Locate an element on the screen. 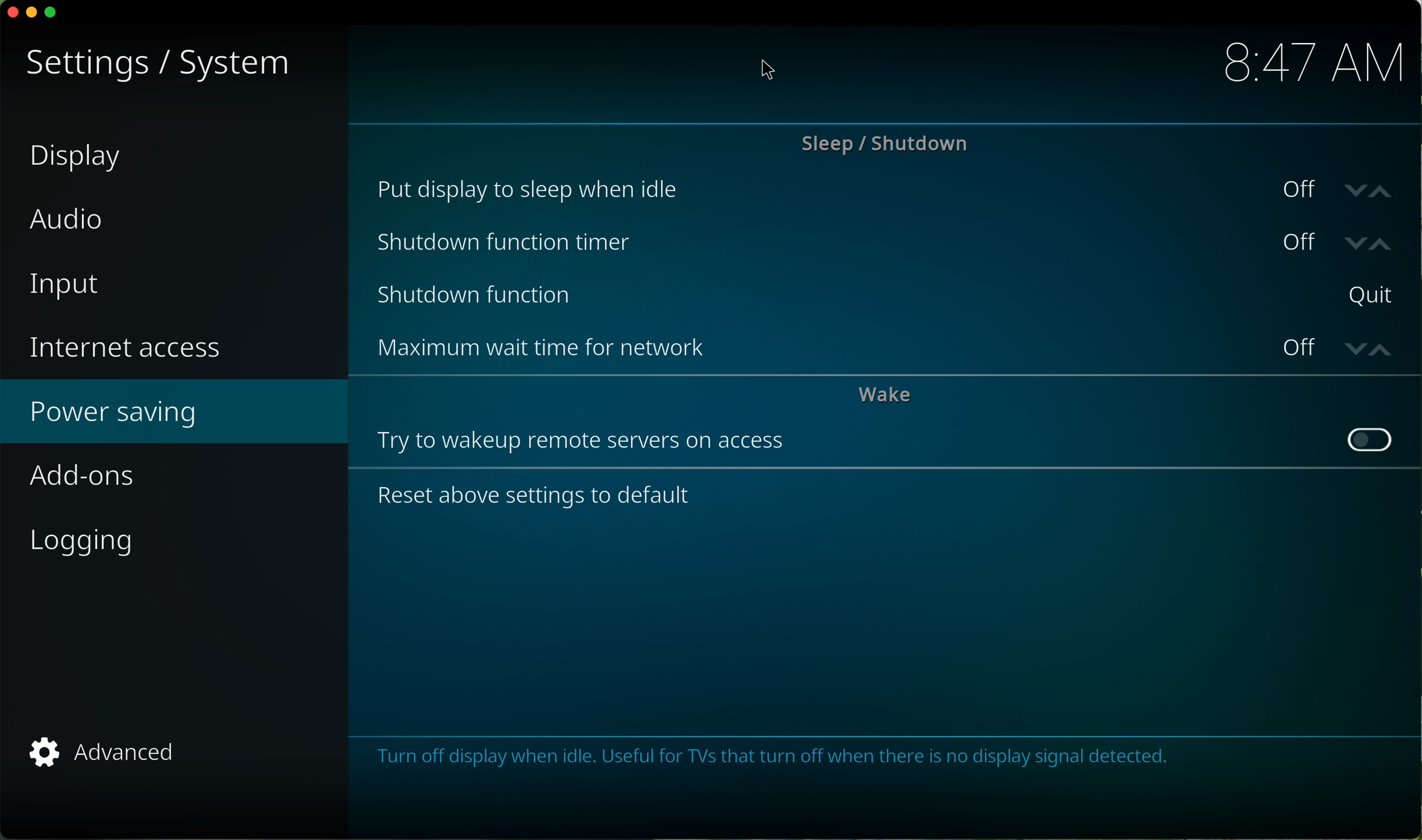  try to wakeup remote servers on acces is located at coordinates (582, 439).